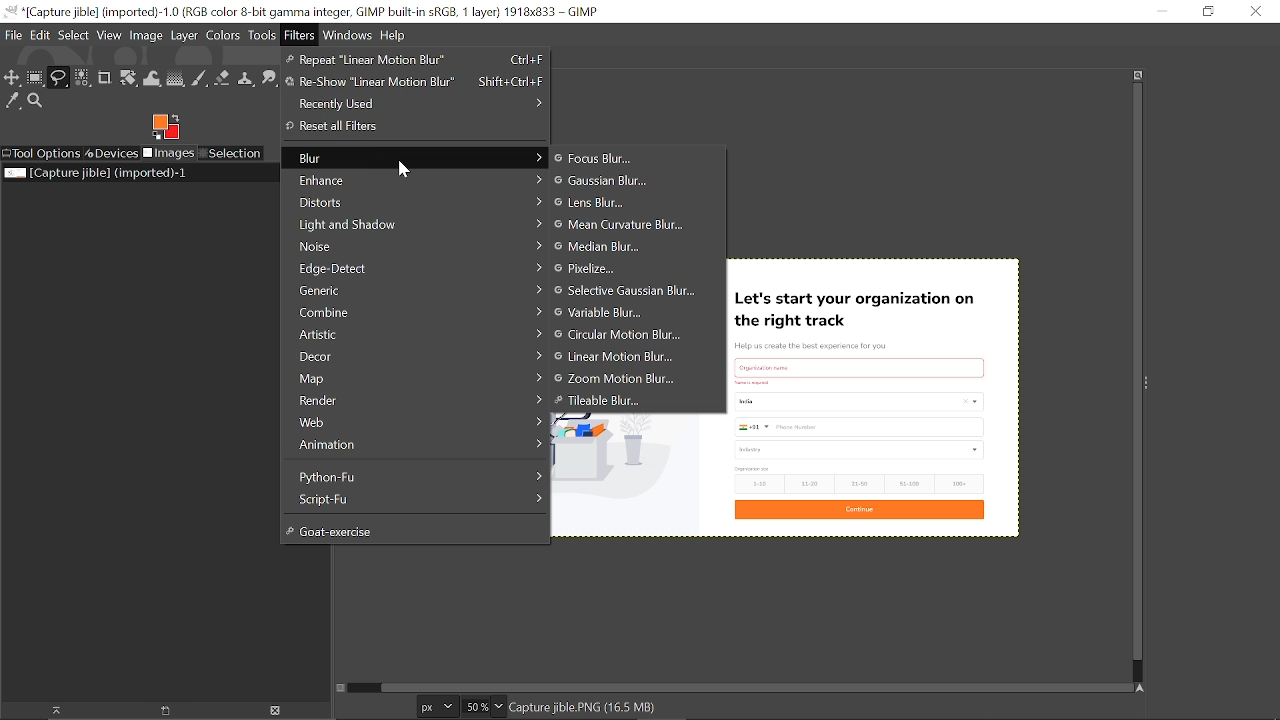  I want to click on Help, so click(394, 36).